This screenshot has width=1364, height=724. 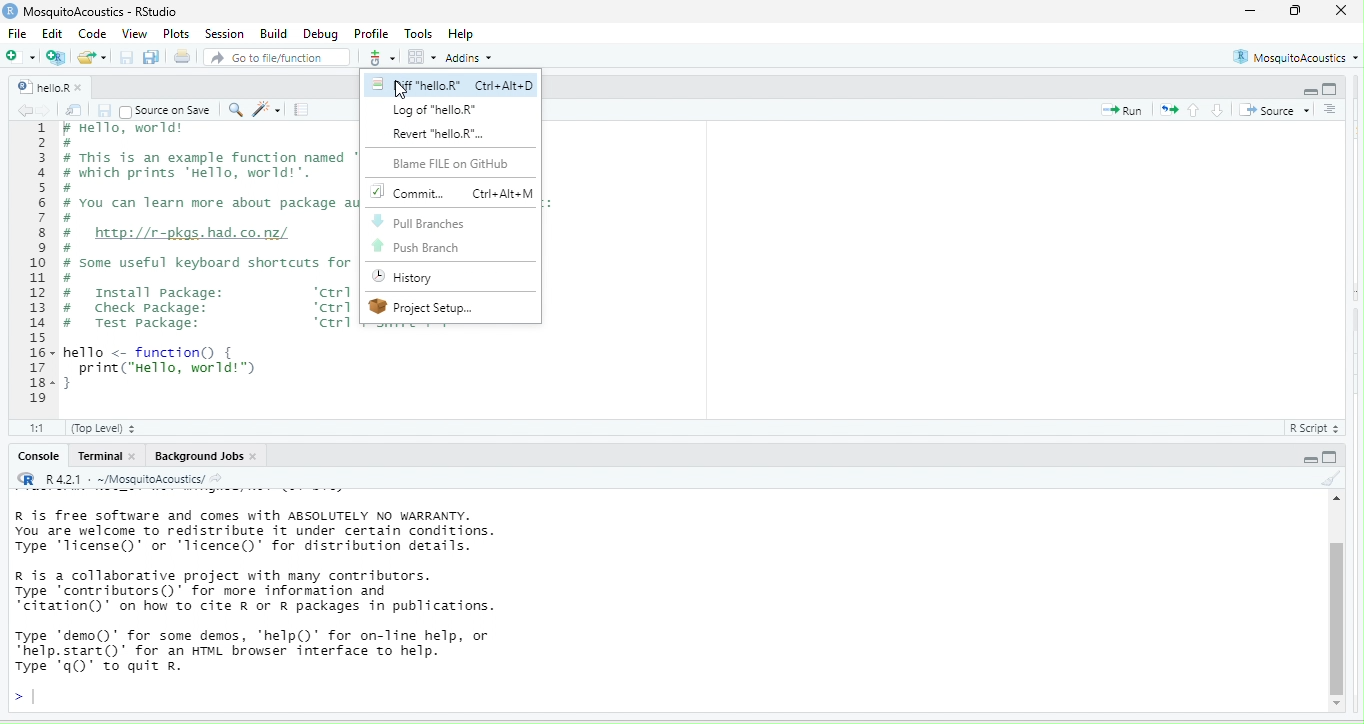 I want to click on maximize, so click(x=1298, y=11).